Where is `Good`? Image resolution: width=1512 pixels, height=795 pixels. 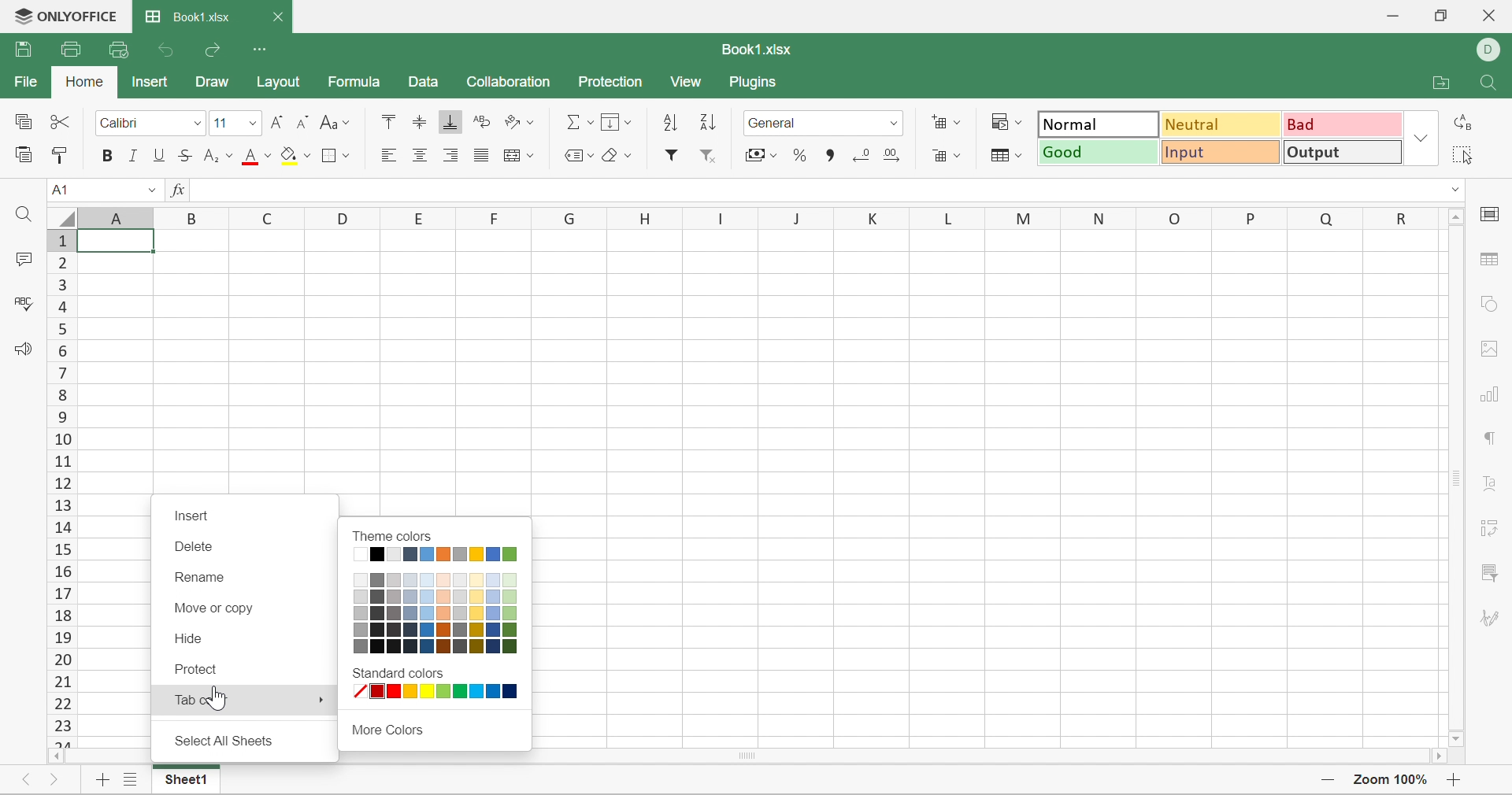
Good is located at coordinates (1099, 152).